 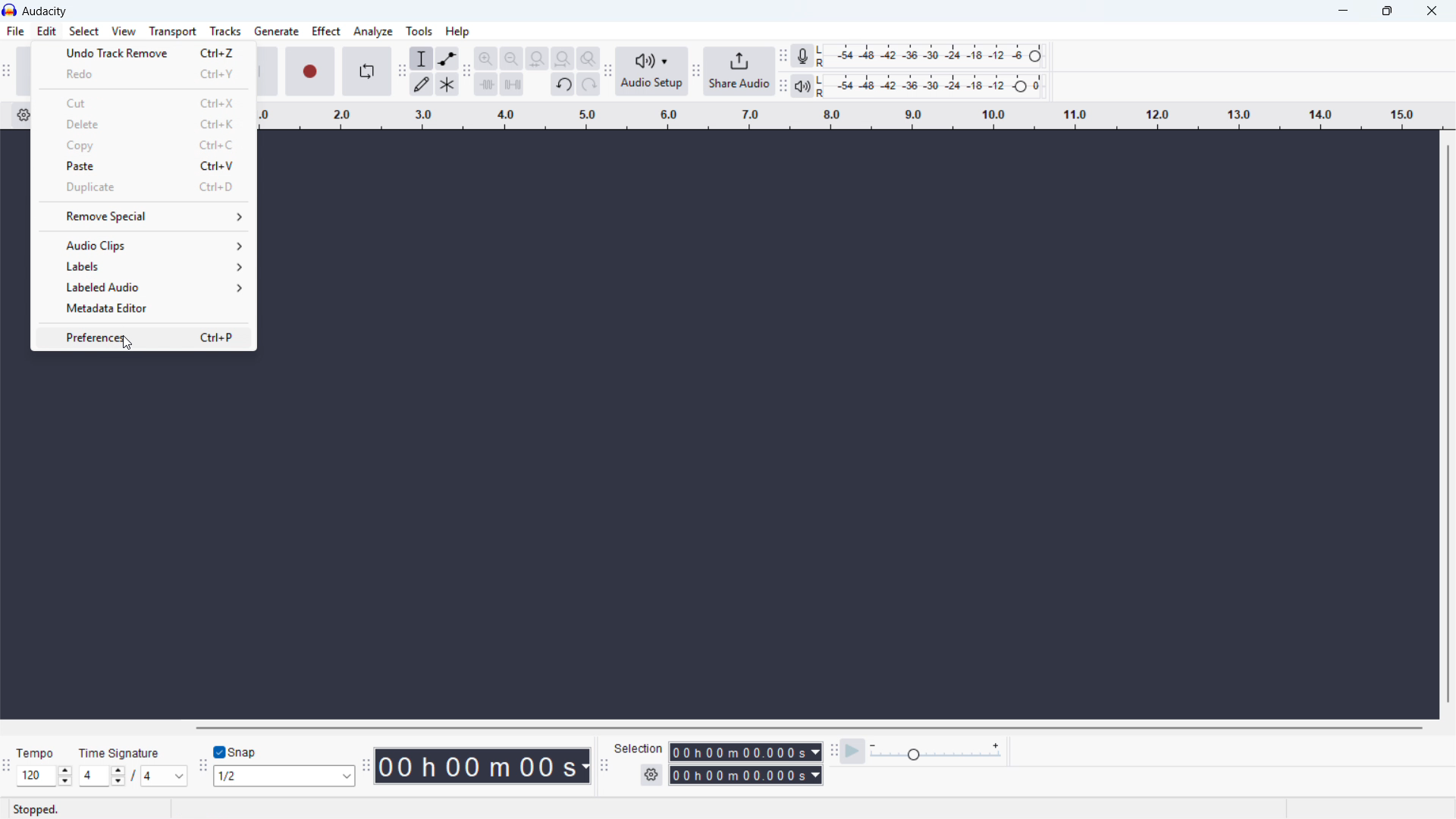 What do you see at coordinates (143, 145) in the screenshot?
I see `copy` at bounding box center [143, 145].